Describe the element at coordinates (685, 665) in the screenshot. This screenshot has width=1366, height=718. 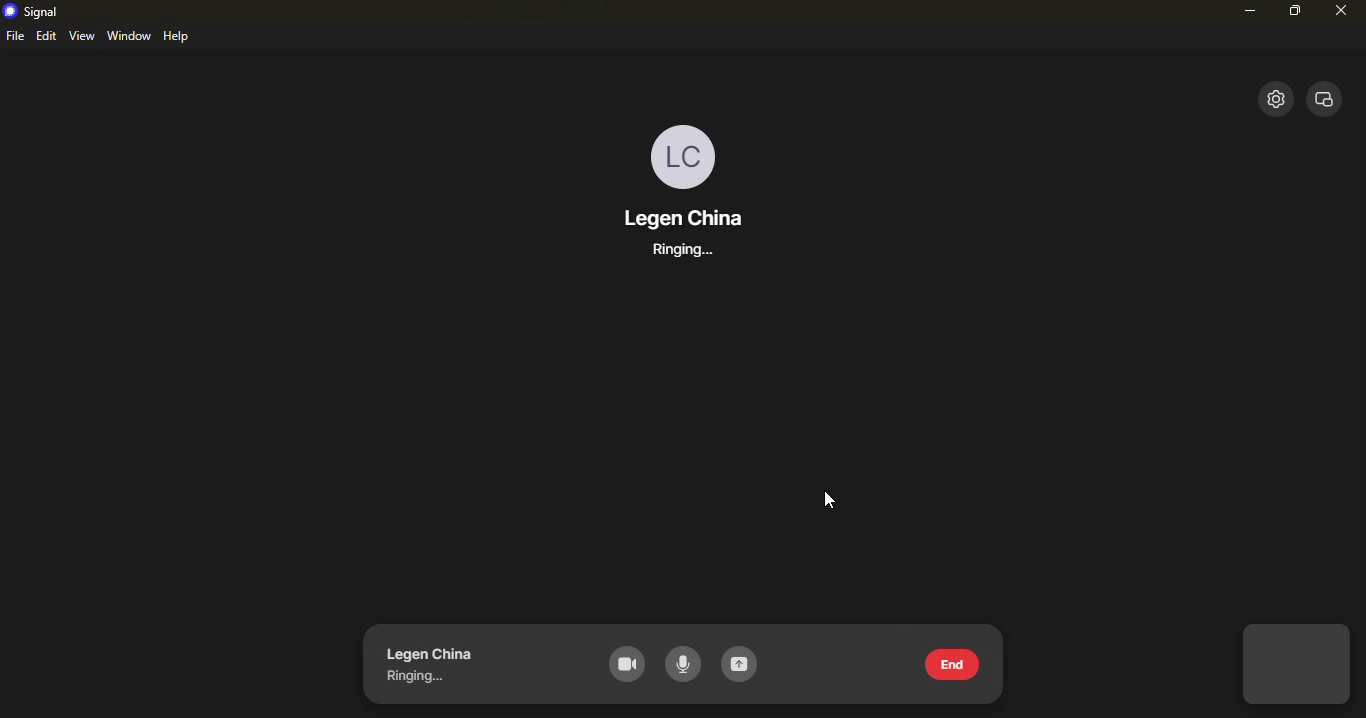
I see `audio` at that location.